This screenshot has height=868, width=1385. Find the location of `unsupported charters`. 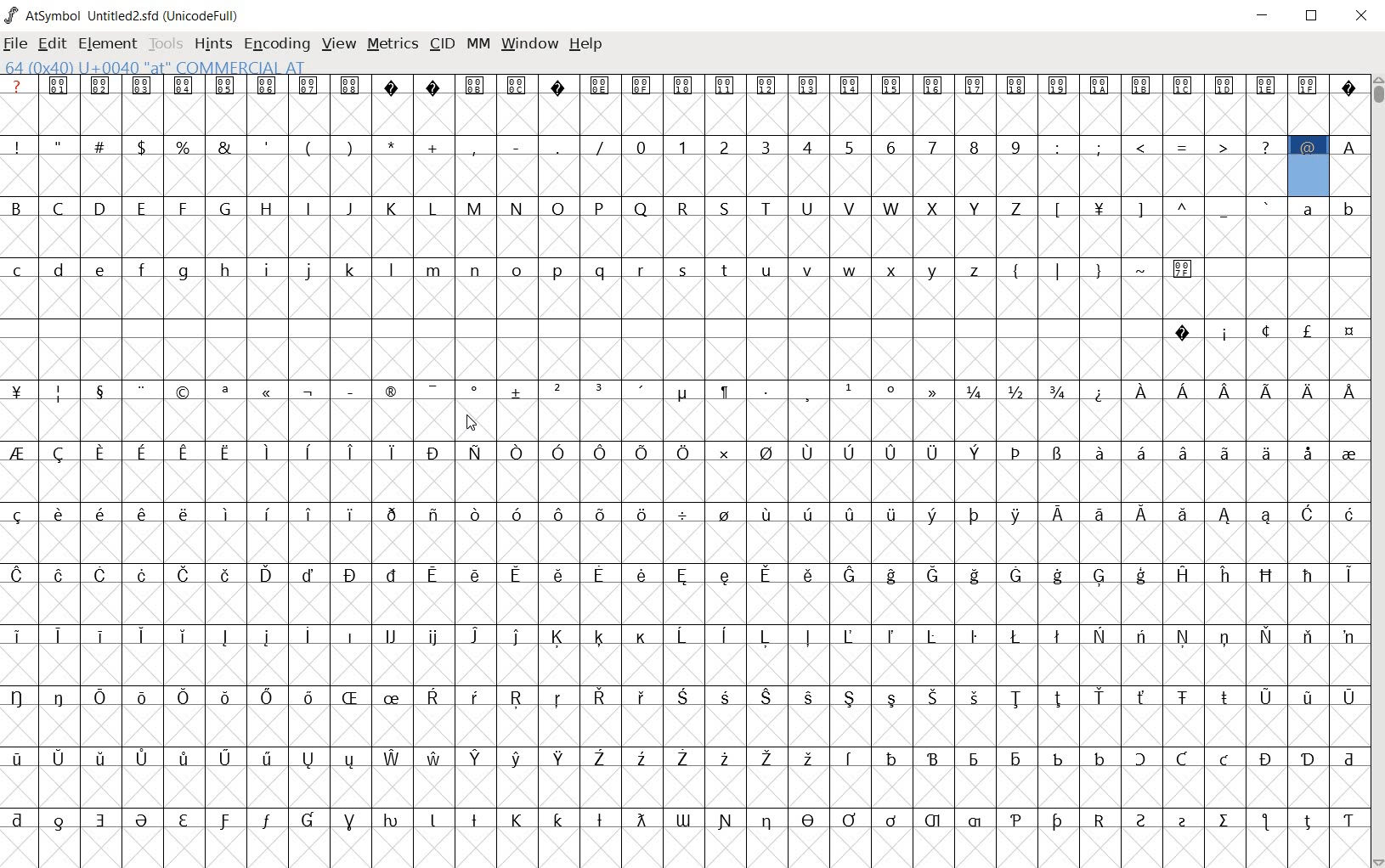

unsupported charters is located at coordinates (414, 84).